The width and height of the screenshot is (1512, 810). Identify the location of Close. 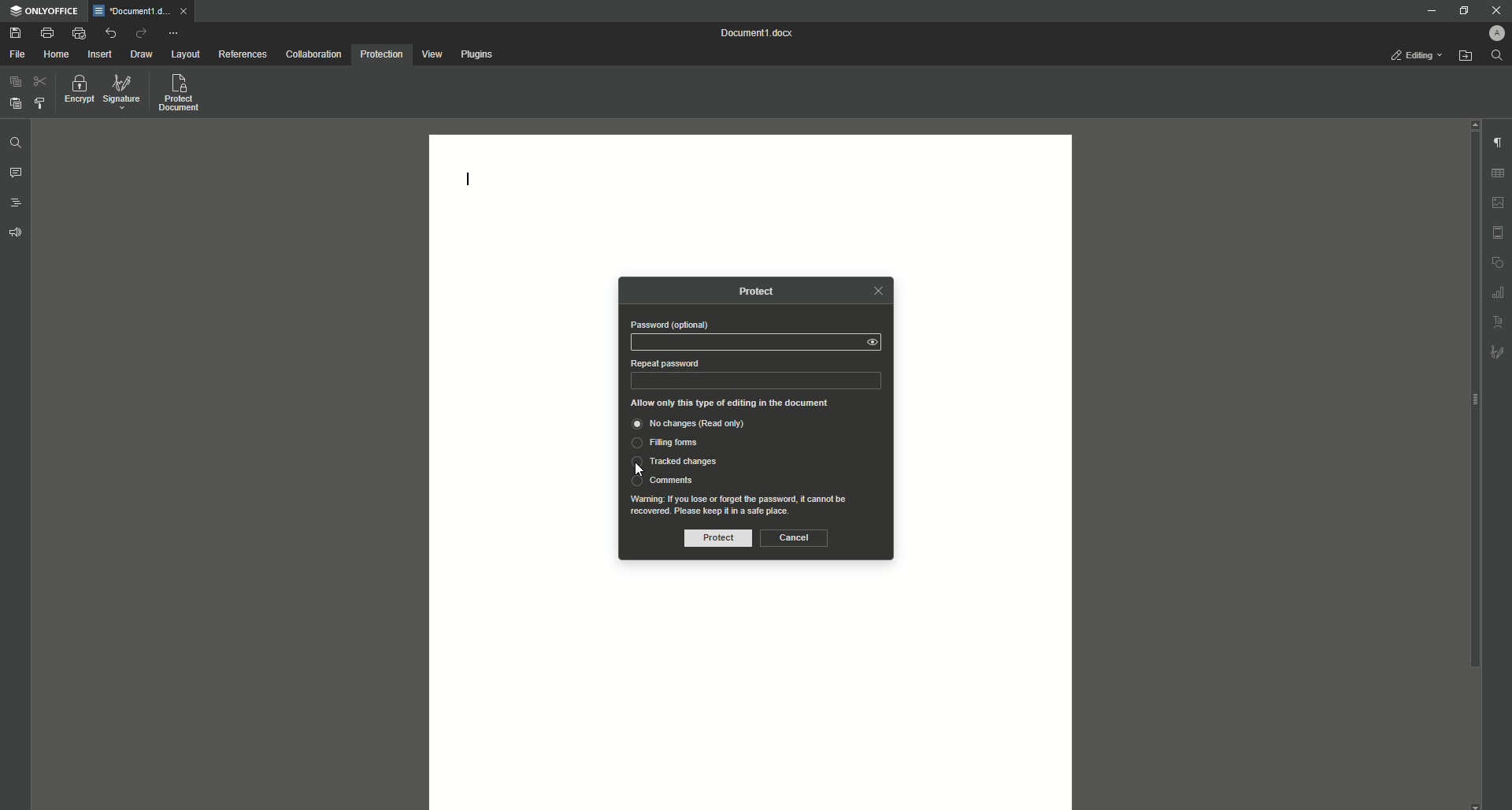
(1494, 10).